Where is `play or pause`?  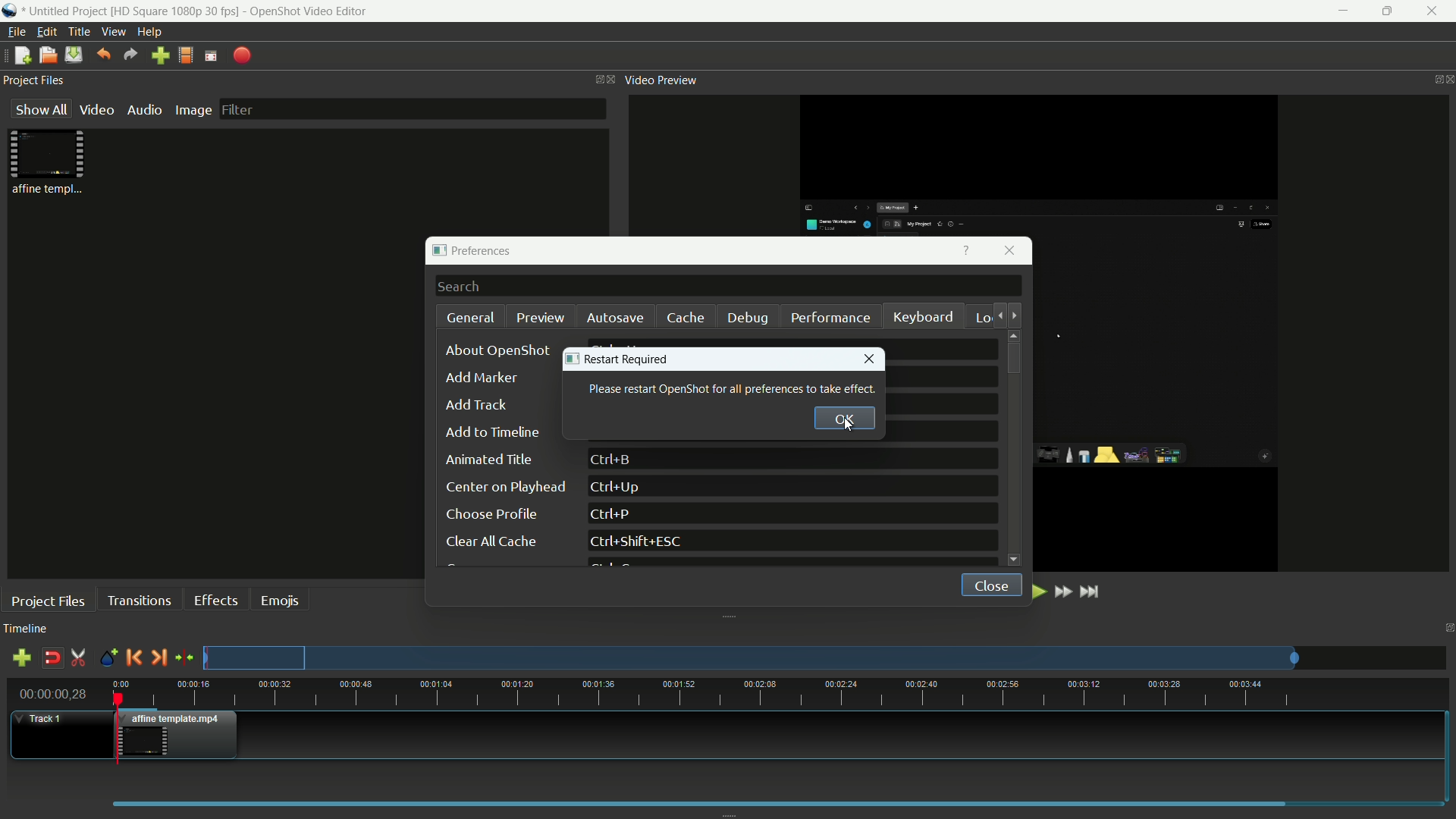 play or pause is located at coordinates (1037, 591).